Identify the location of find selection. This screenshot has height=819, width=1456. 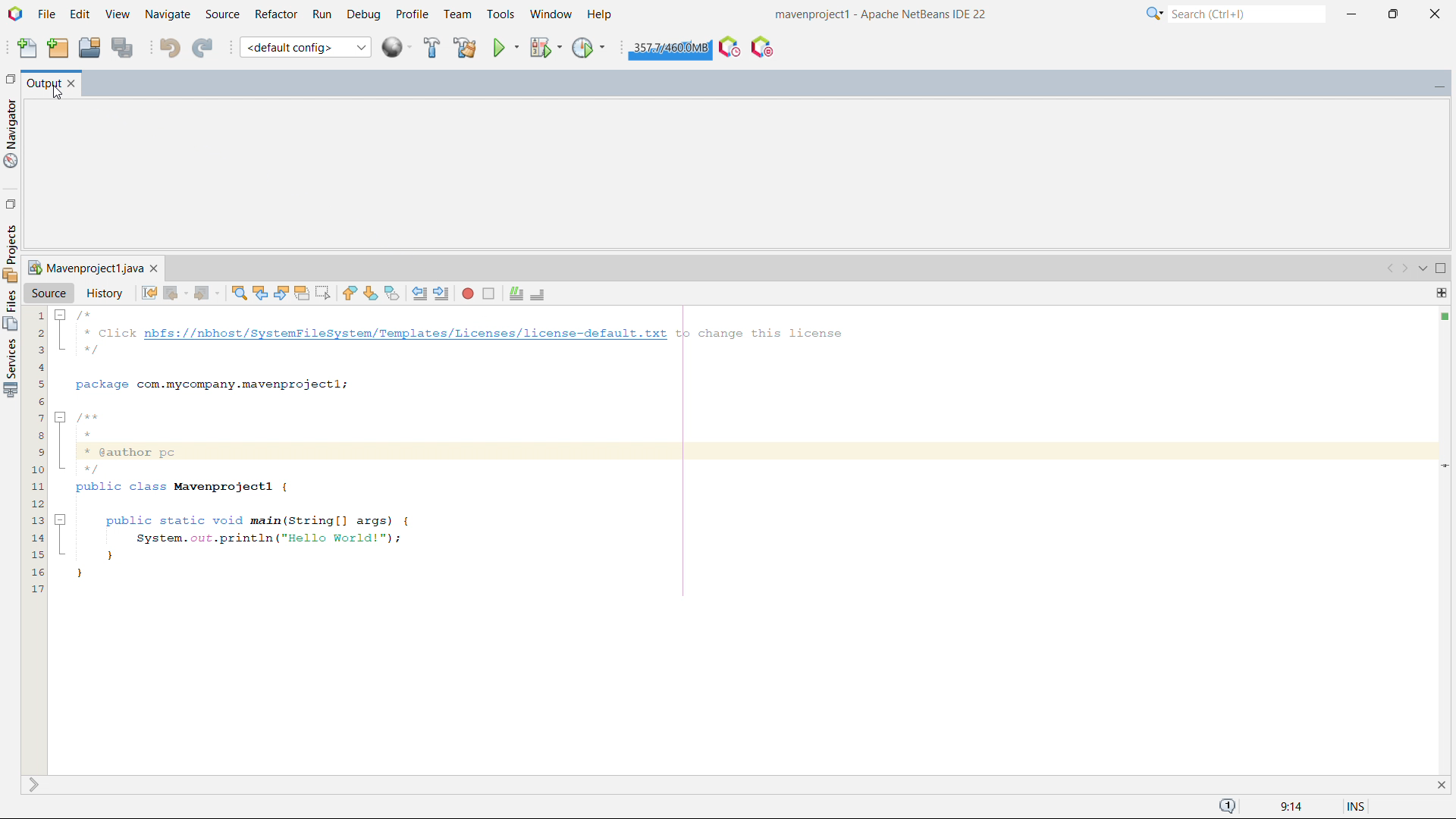
(240, 293).